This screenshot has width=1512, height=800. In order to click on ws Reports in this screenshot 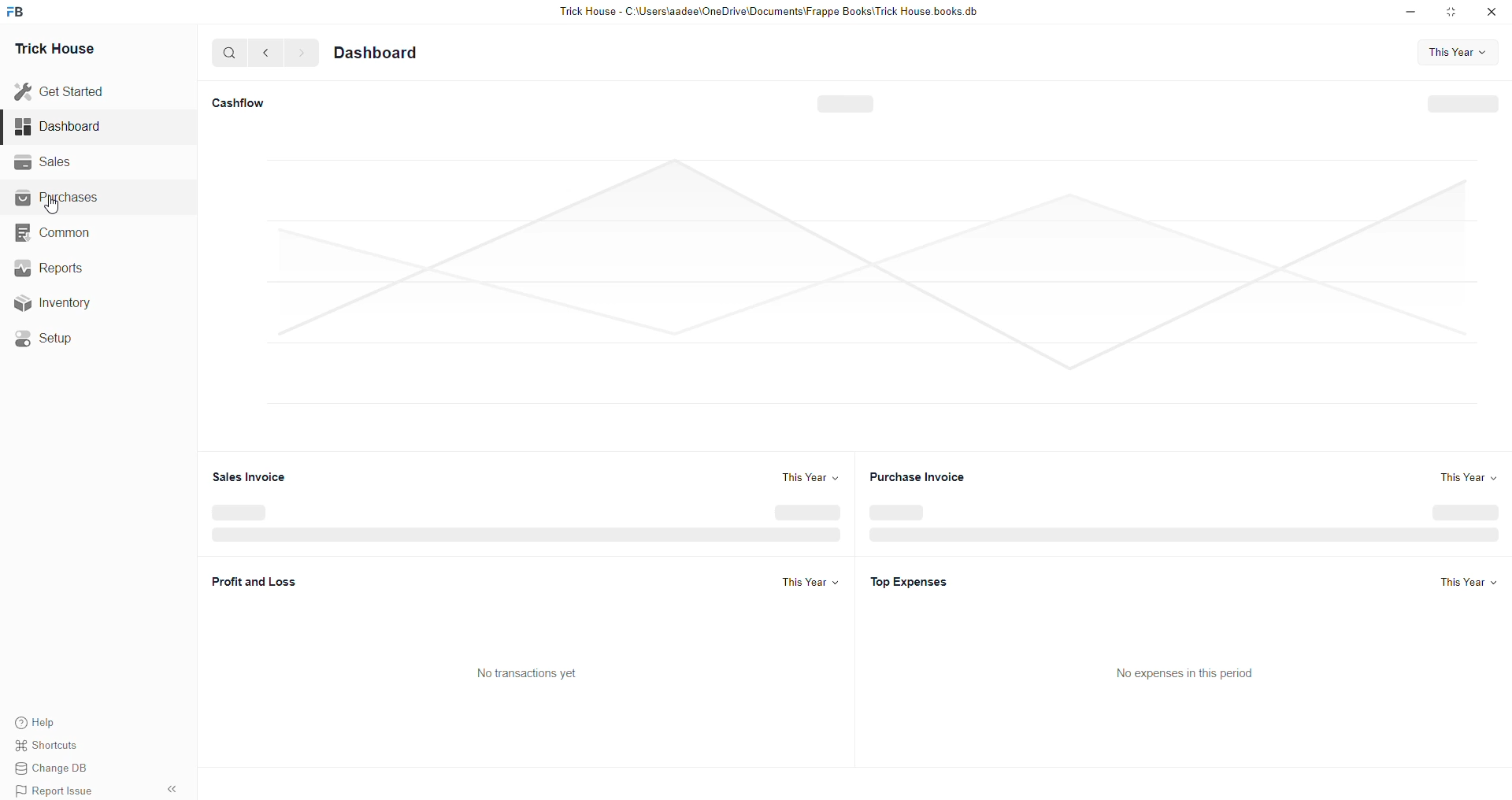, I will do `click(54, 270)`.